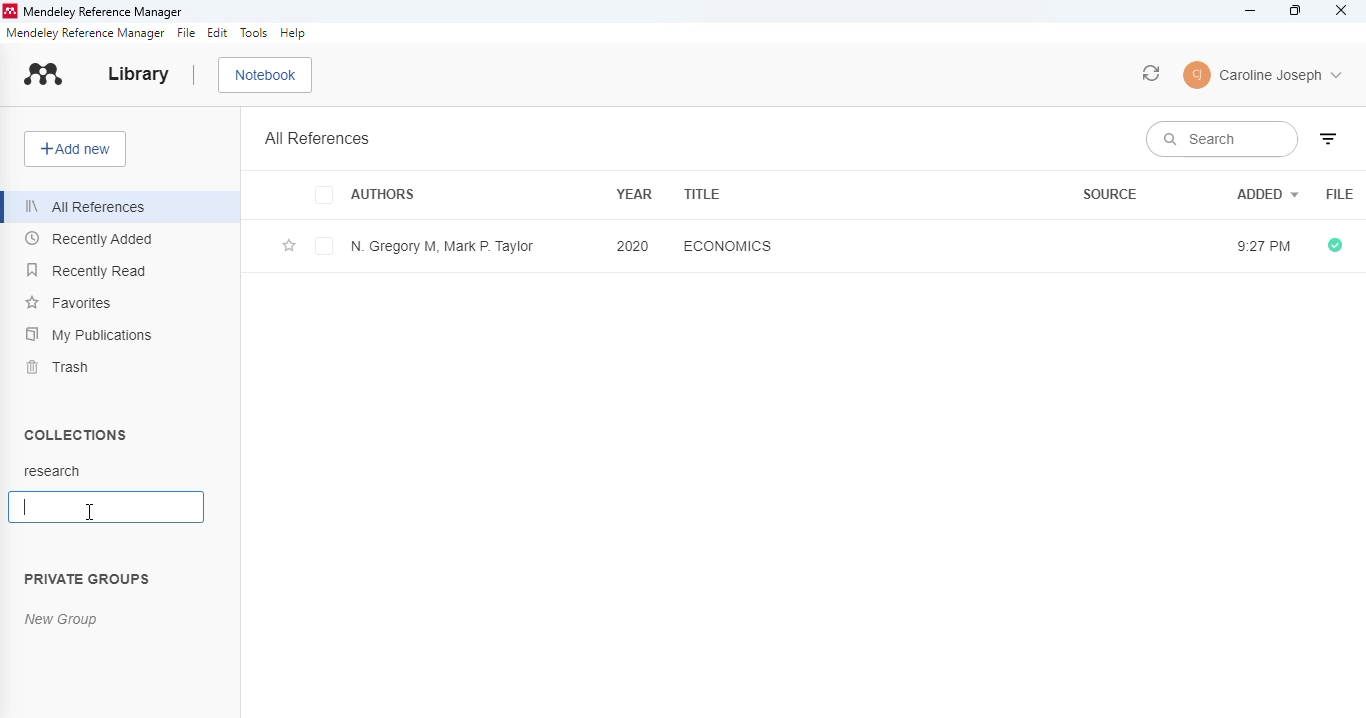 The height and width of the screenshot is (718, 1366). Describe the element at coordinates (1110, 194) in the screenshot. I see `source` at that location.